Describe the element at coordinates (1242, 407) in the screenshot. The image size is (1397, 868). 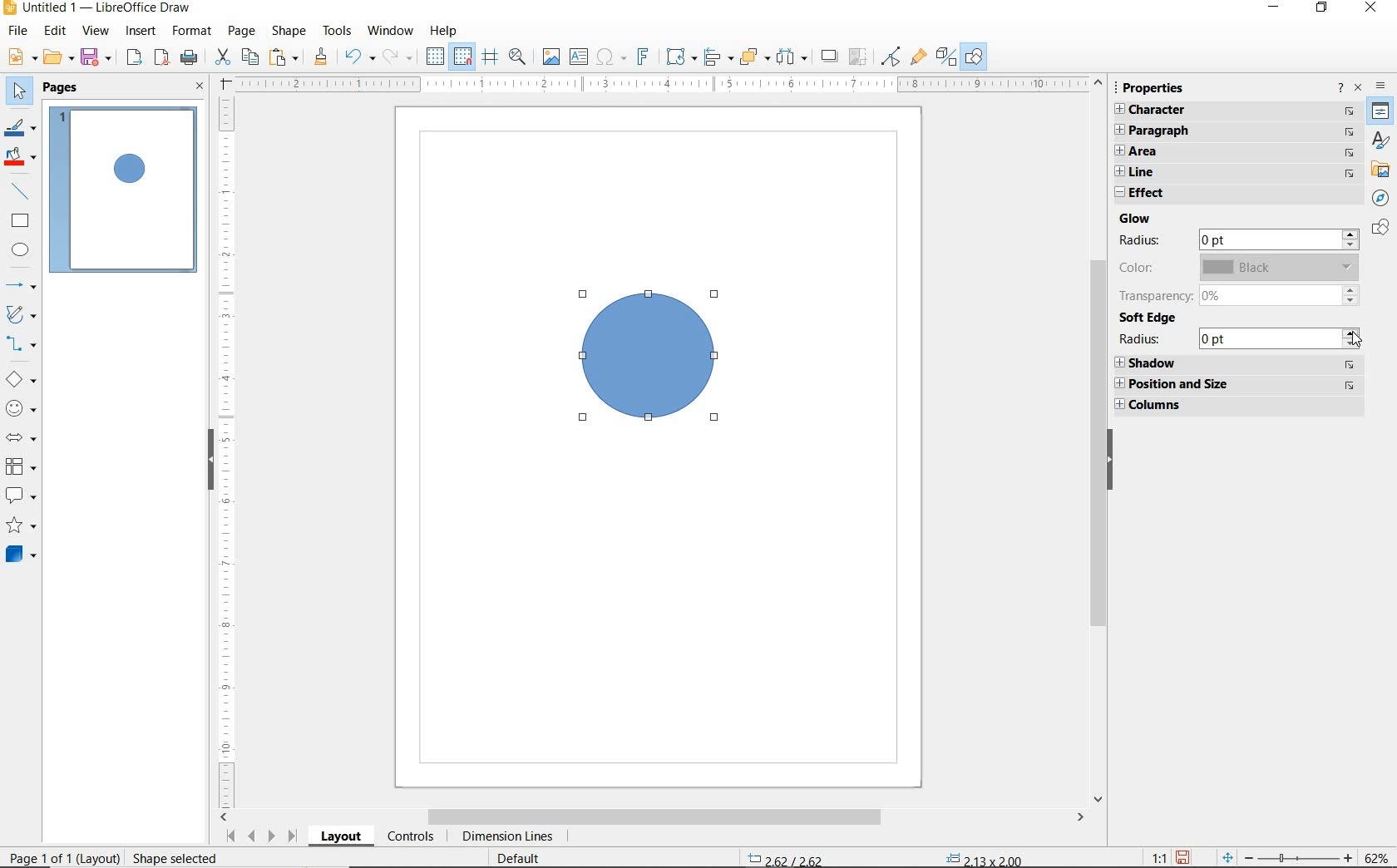
I see `COLUMNS` at that location.